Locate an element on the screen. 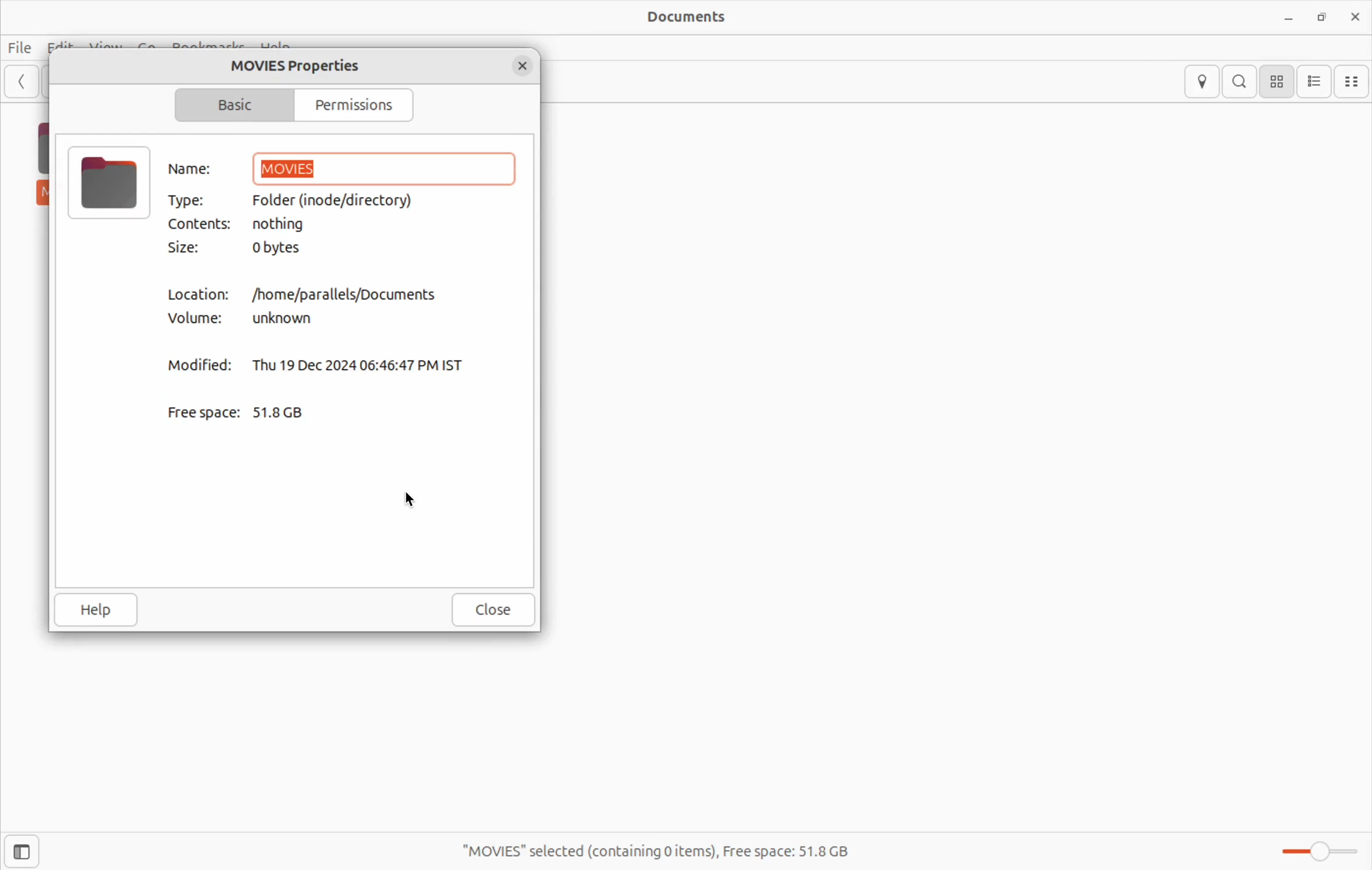 The height and width of the screenshot is (870, 1372). Zoom is located at coordinates (1314, 851).